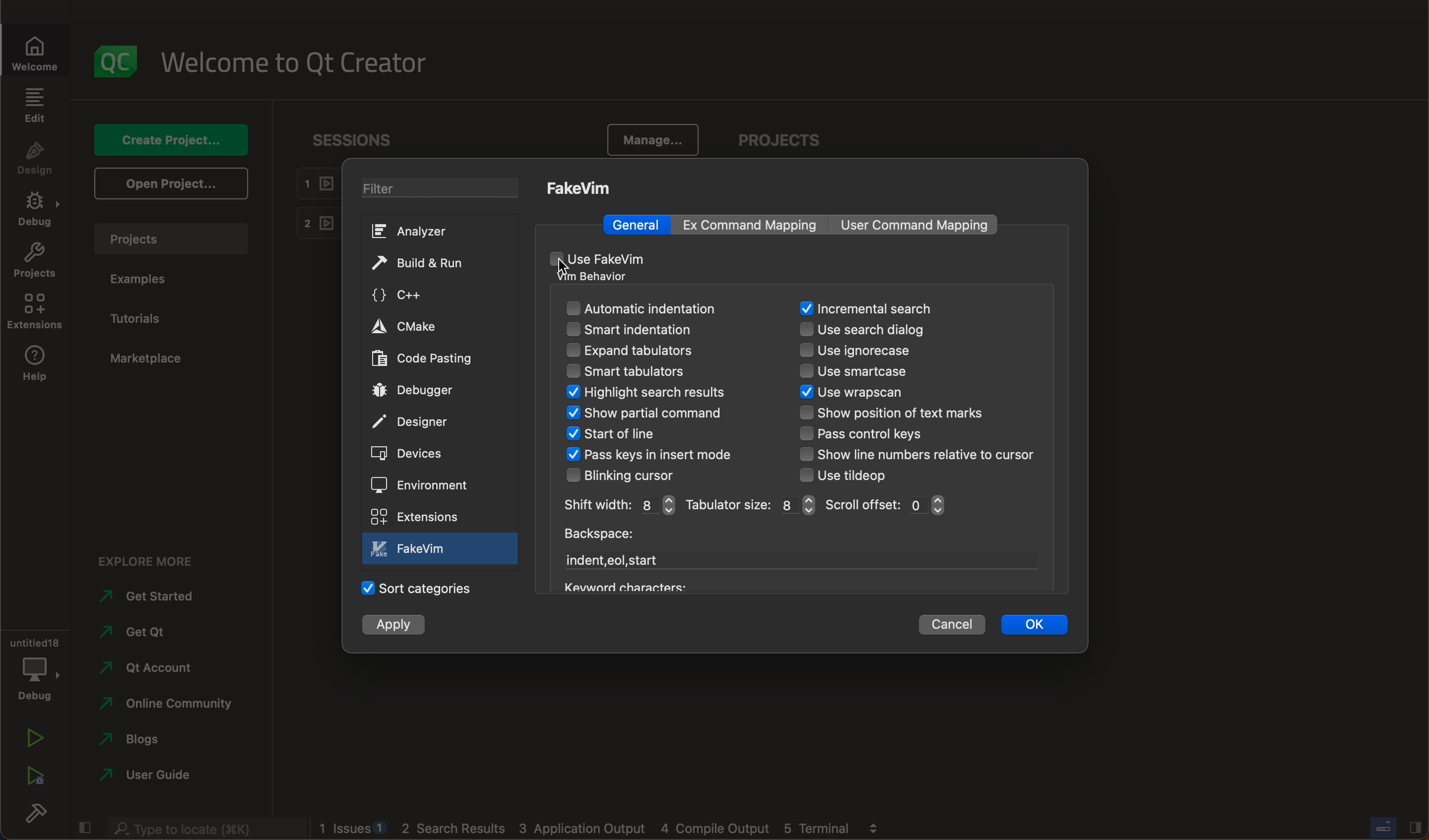 Image resolution: width=1429 pixels, height=840 pixels. Describe the element at coordinates (153, 562) in the screenshot. I see `explore` at that location.